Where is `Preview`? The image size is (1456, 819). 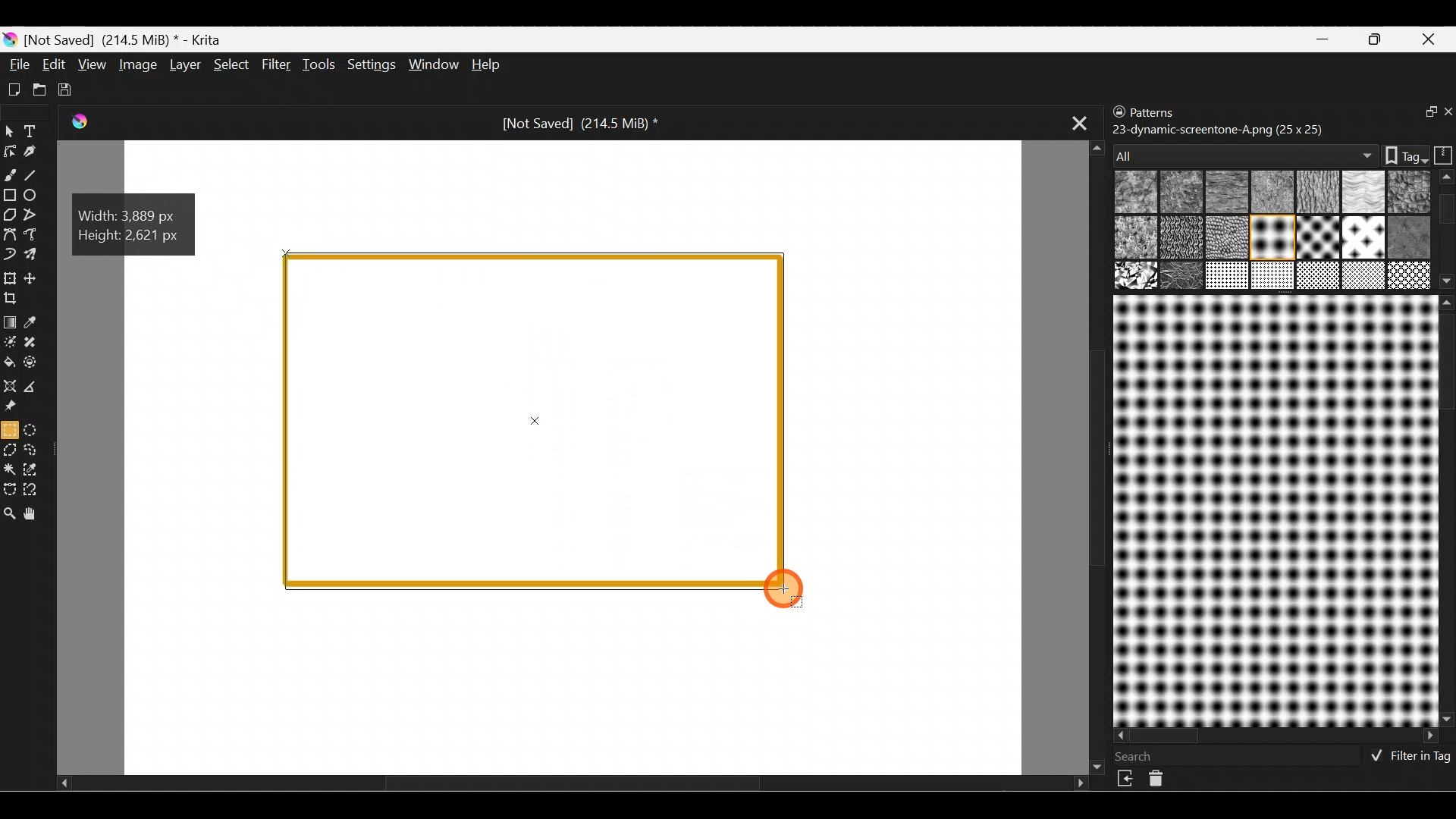 Preview is located at coordinates (1272, 510).